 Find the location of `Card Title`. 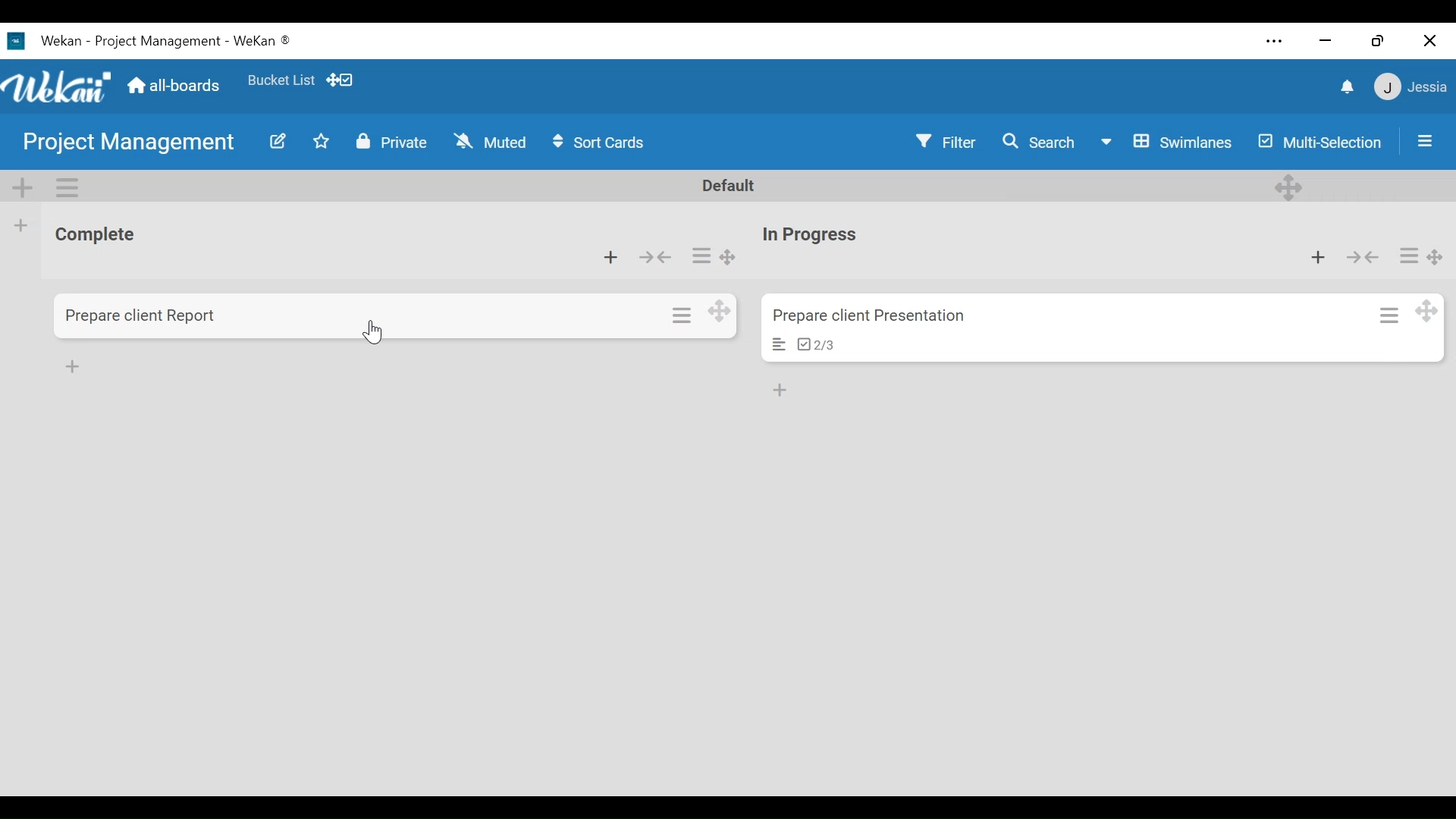

Card Title is located at coordinates (143, 316).